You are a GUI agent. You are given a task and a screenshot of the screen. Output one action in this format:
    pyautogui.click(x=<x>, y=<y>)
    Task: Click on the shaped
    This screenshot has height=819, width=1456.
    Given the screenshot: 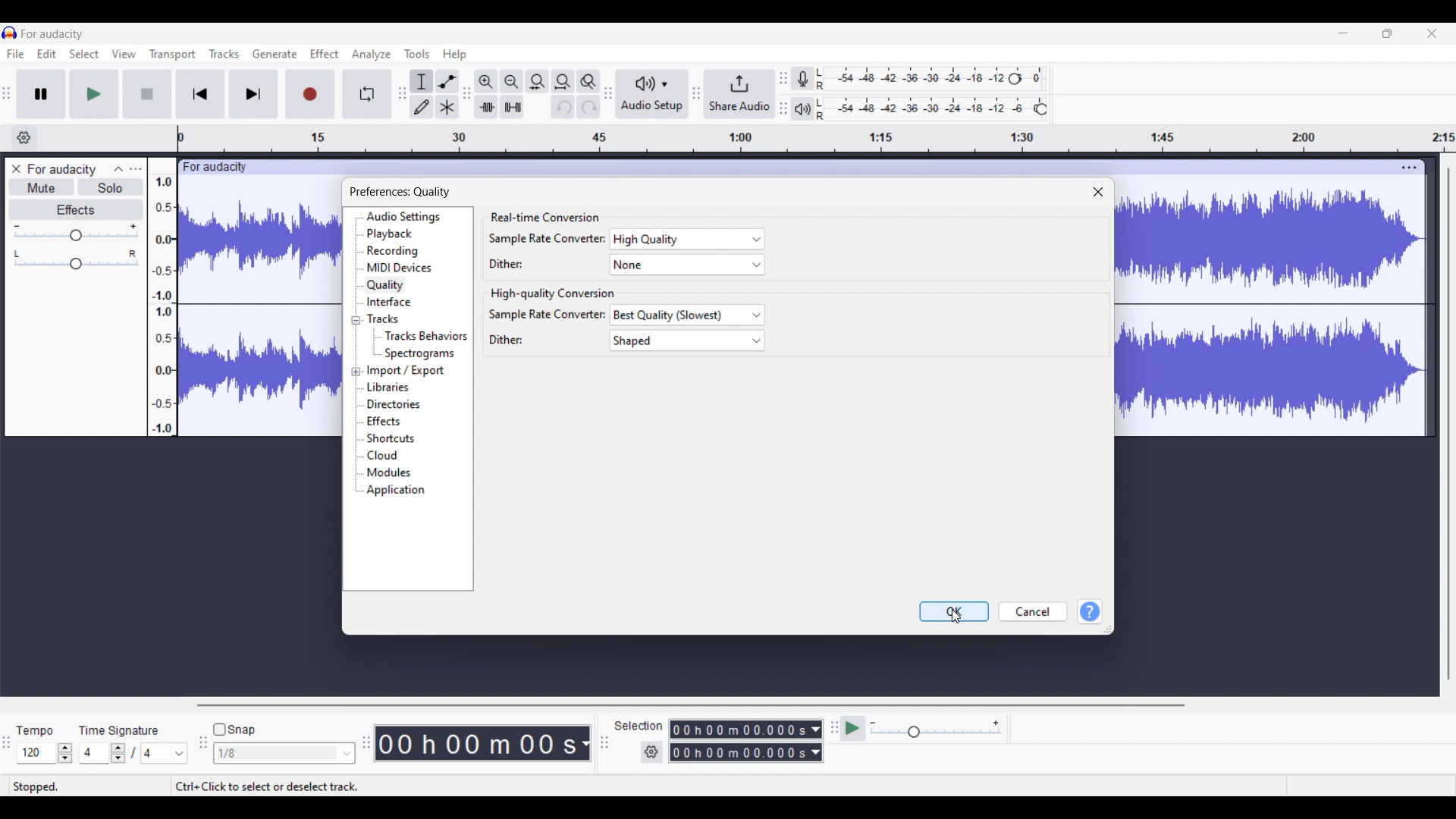 What is the action you would take?
    pyautogui.click(x=686, y=340)
    